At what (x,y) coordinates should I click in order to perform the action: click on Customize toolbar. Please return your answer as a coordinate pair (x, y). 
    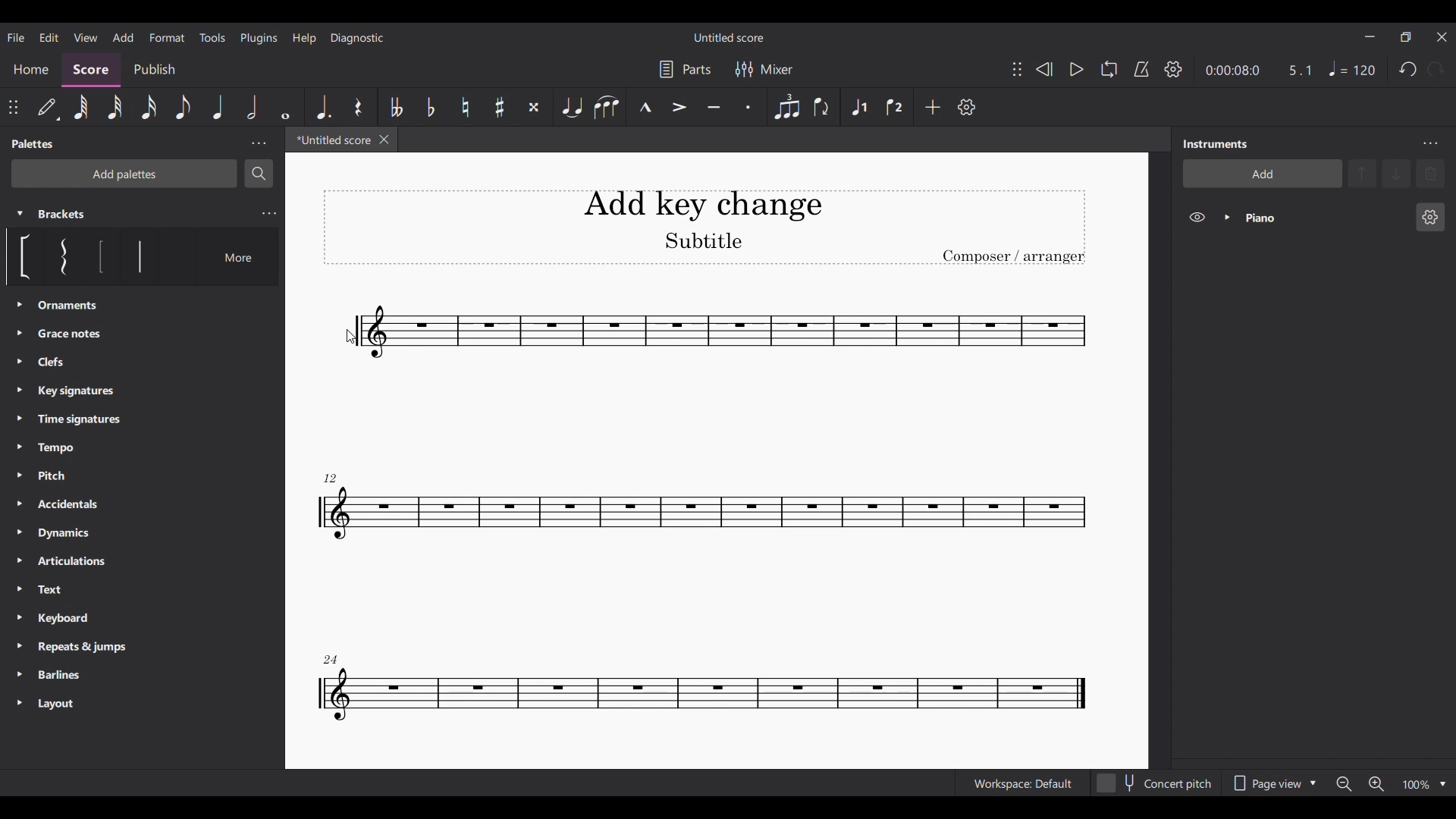
    Looking at the image, I should click on (966, 107).